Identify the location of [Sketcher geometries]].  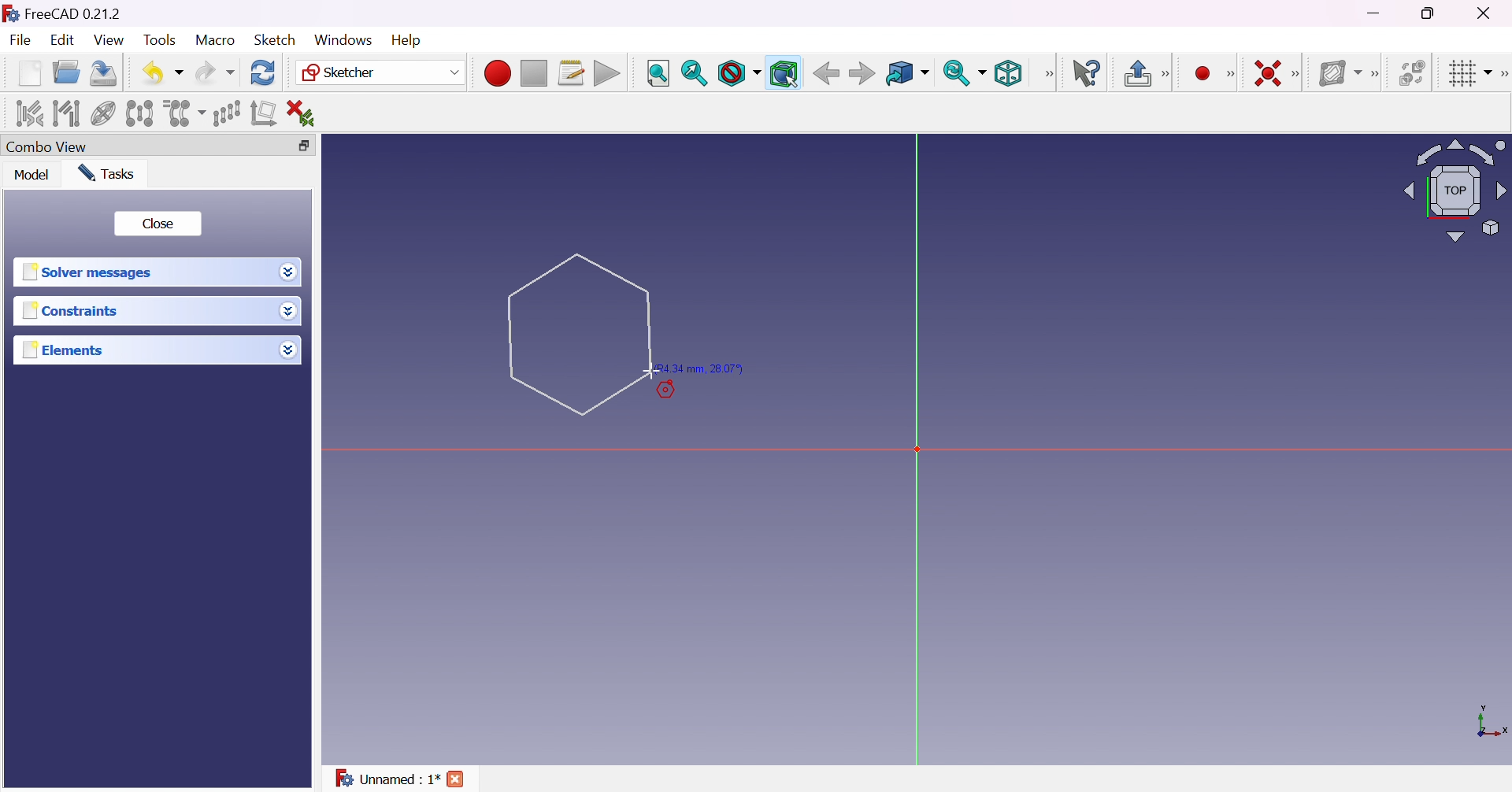
(1230, 74).